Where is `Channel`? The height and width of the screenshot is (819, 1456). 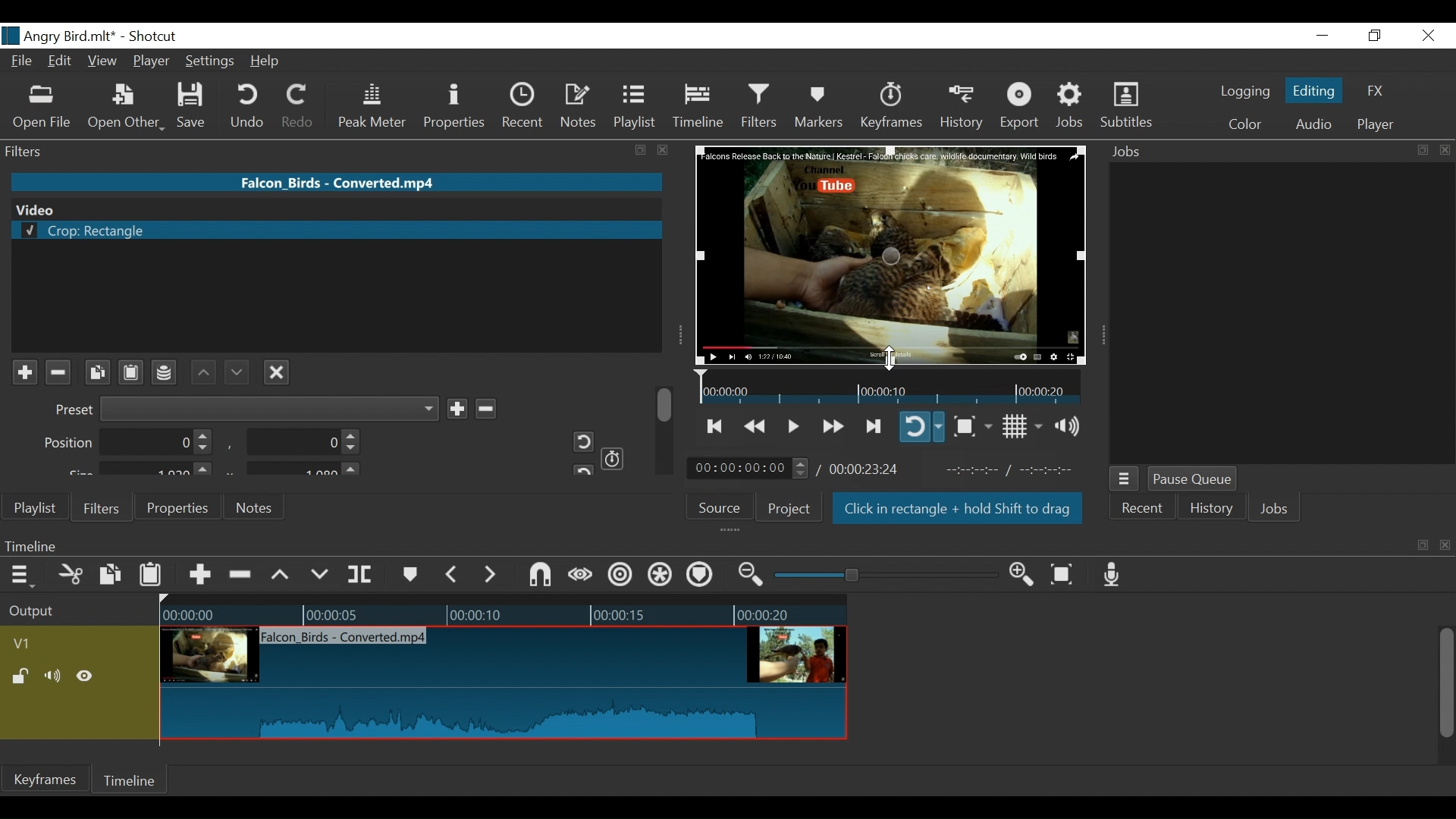 Channel is located at coordinates (165, 375).